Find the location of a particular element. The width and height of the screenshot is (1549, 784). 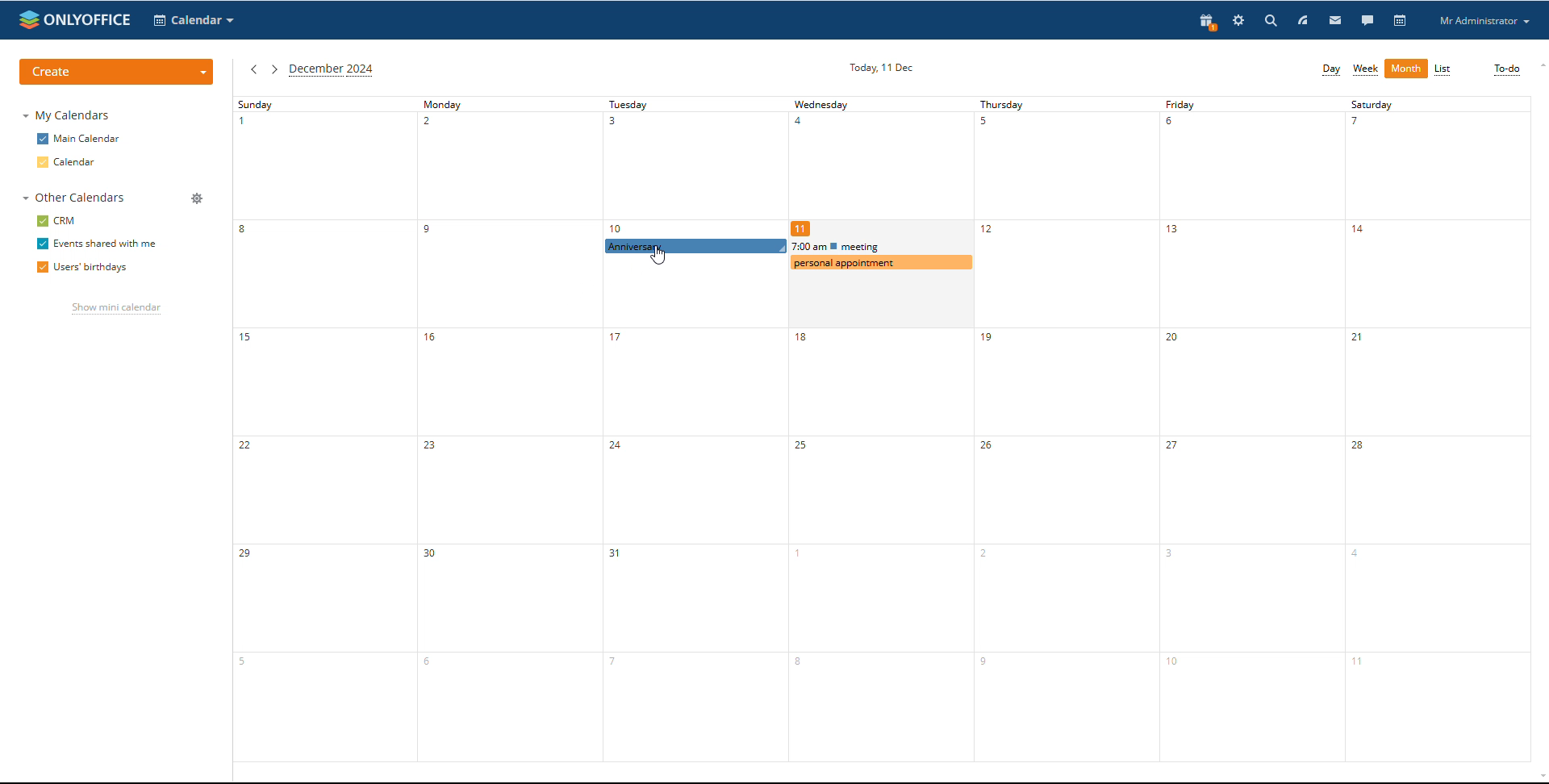

day view is located at coordinates (1330, 71).